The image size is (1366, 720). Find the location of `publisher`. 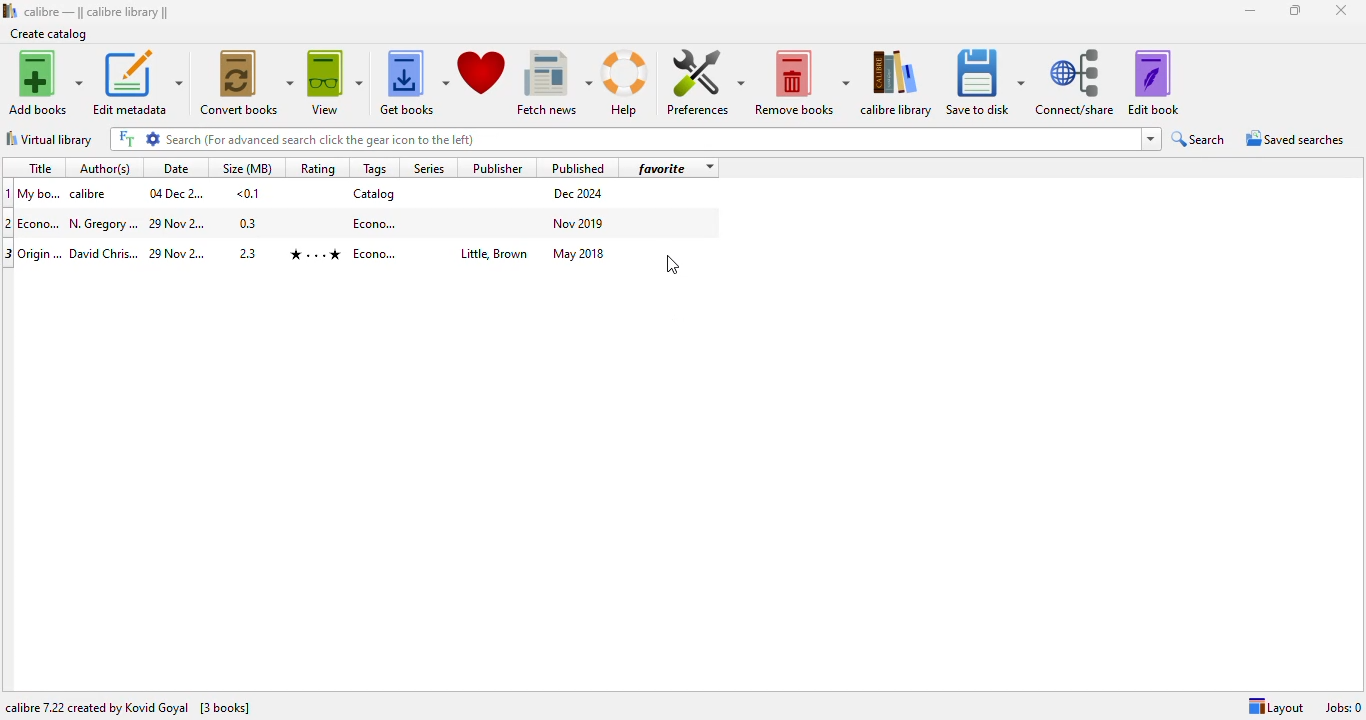

publisher is located at coordinates (492, 255).